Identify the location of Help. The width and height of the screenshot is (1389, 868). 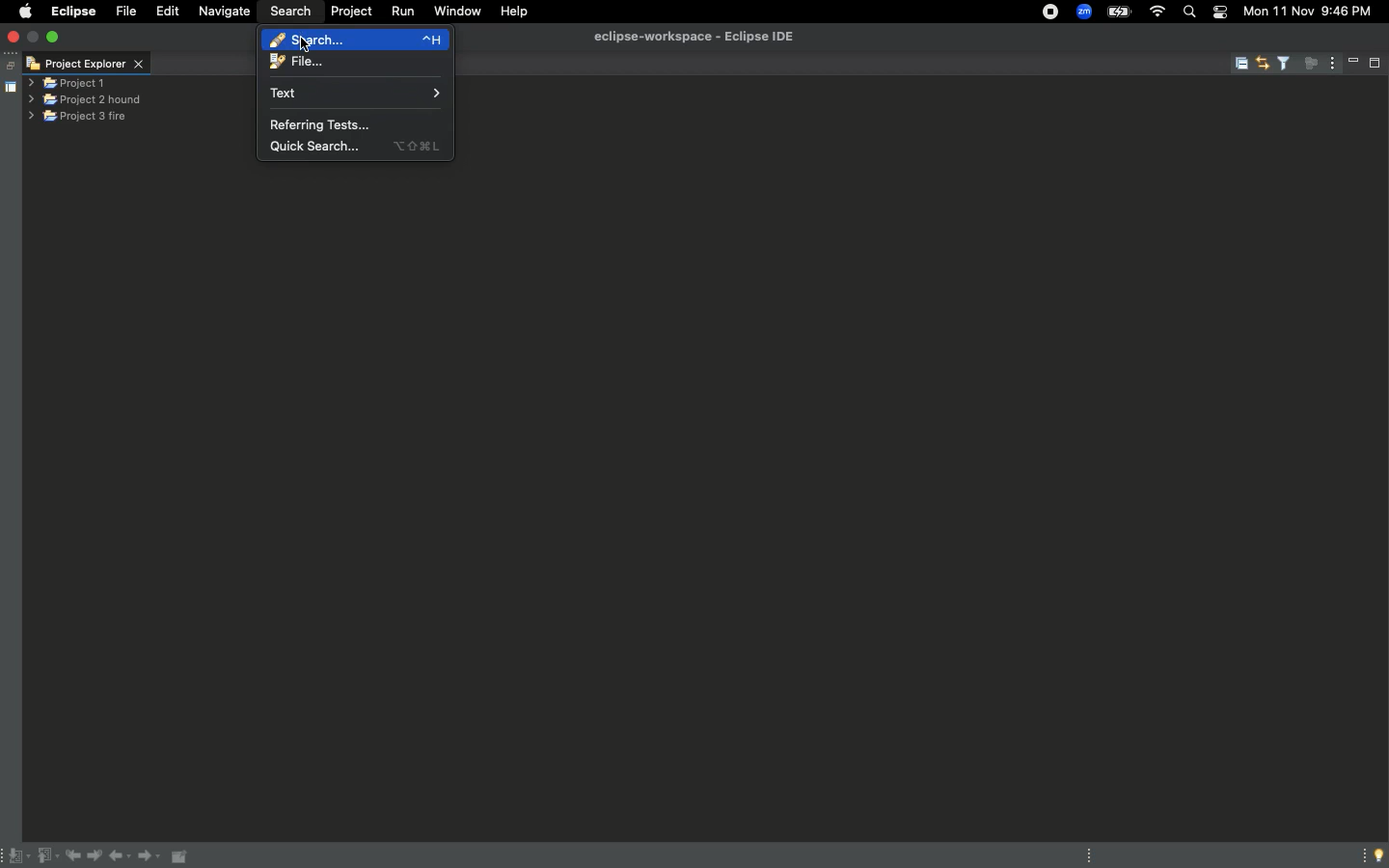
(521, 13).